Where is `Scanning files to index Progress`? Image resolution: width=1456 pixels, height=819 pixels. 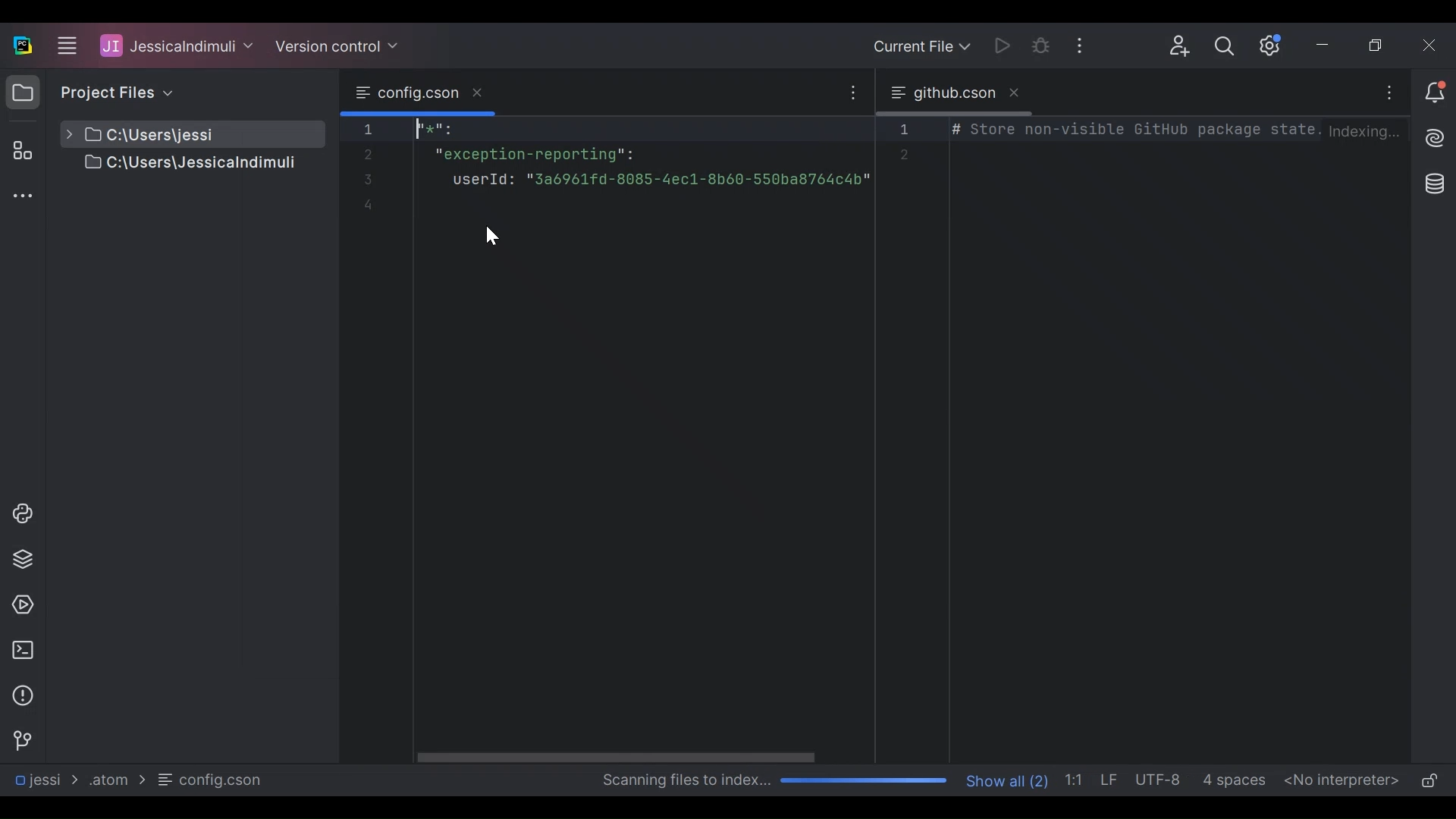 Scanning files to index Progress is located at coordinates (770, 781).